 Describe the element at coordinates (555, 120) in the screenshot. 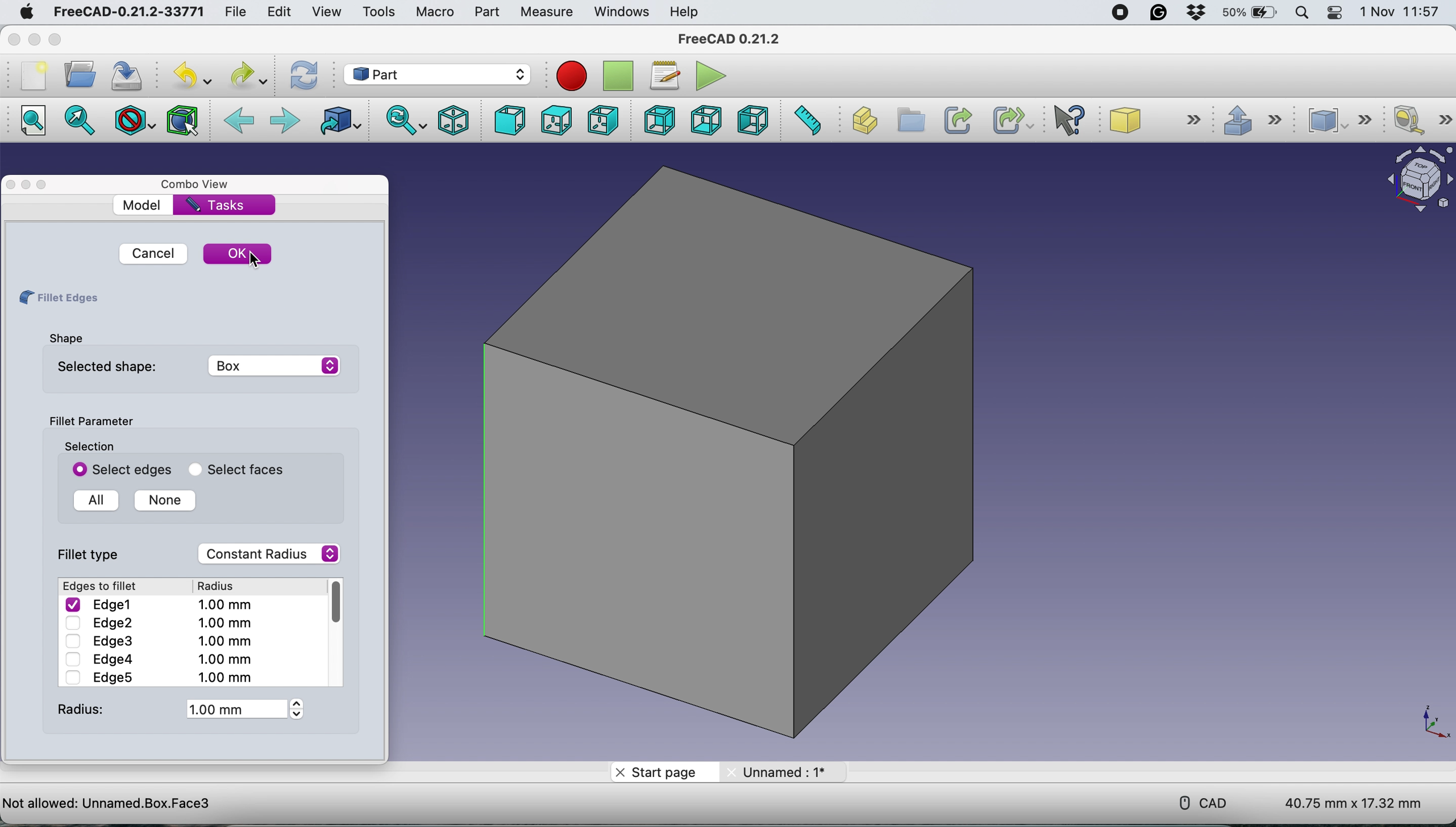

I see `top` at that location.